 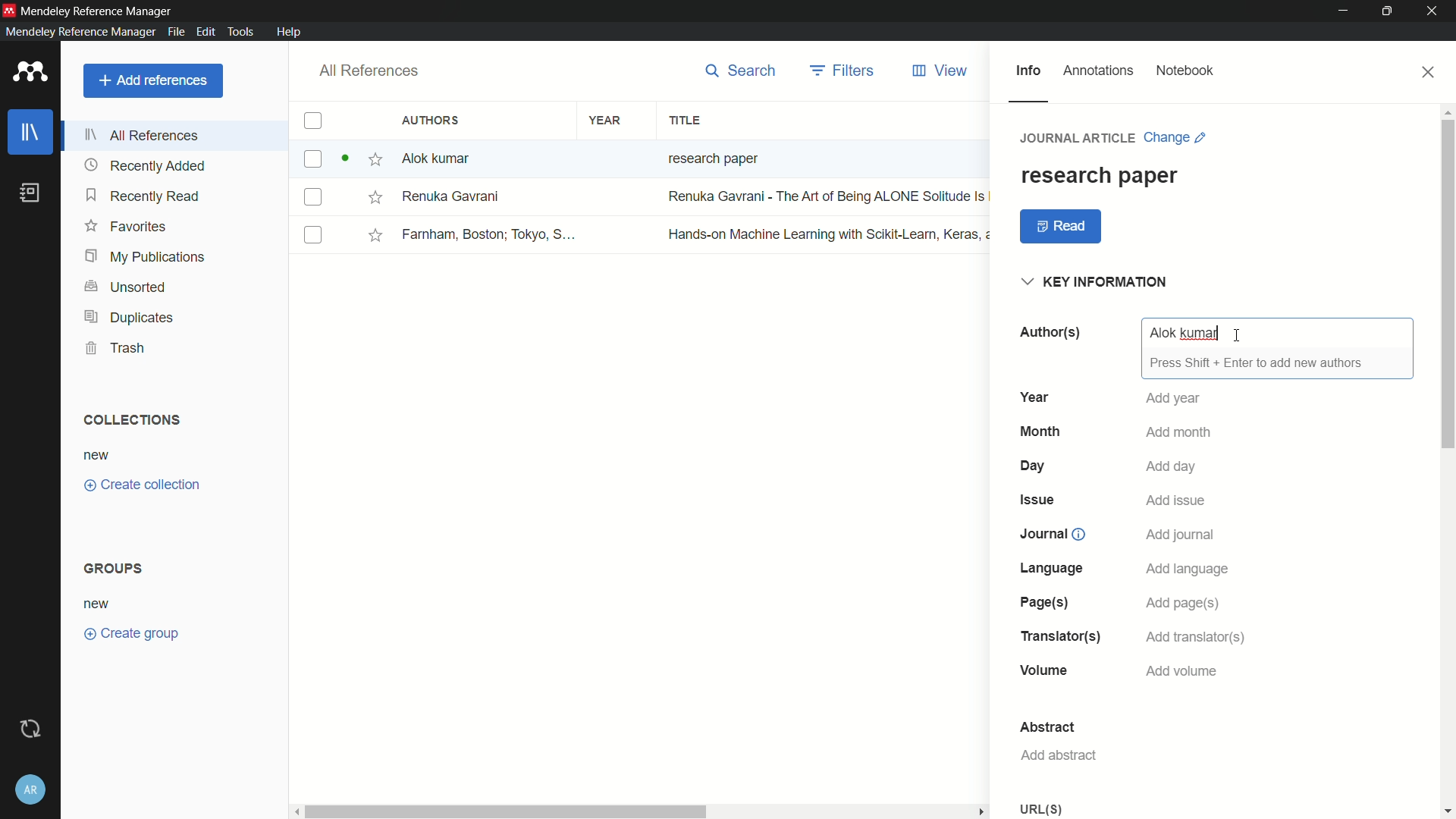 What do you see at coordinates (1181, 535) in the screenshot?
I see `add journal` at bounding box center [1181, 535].